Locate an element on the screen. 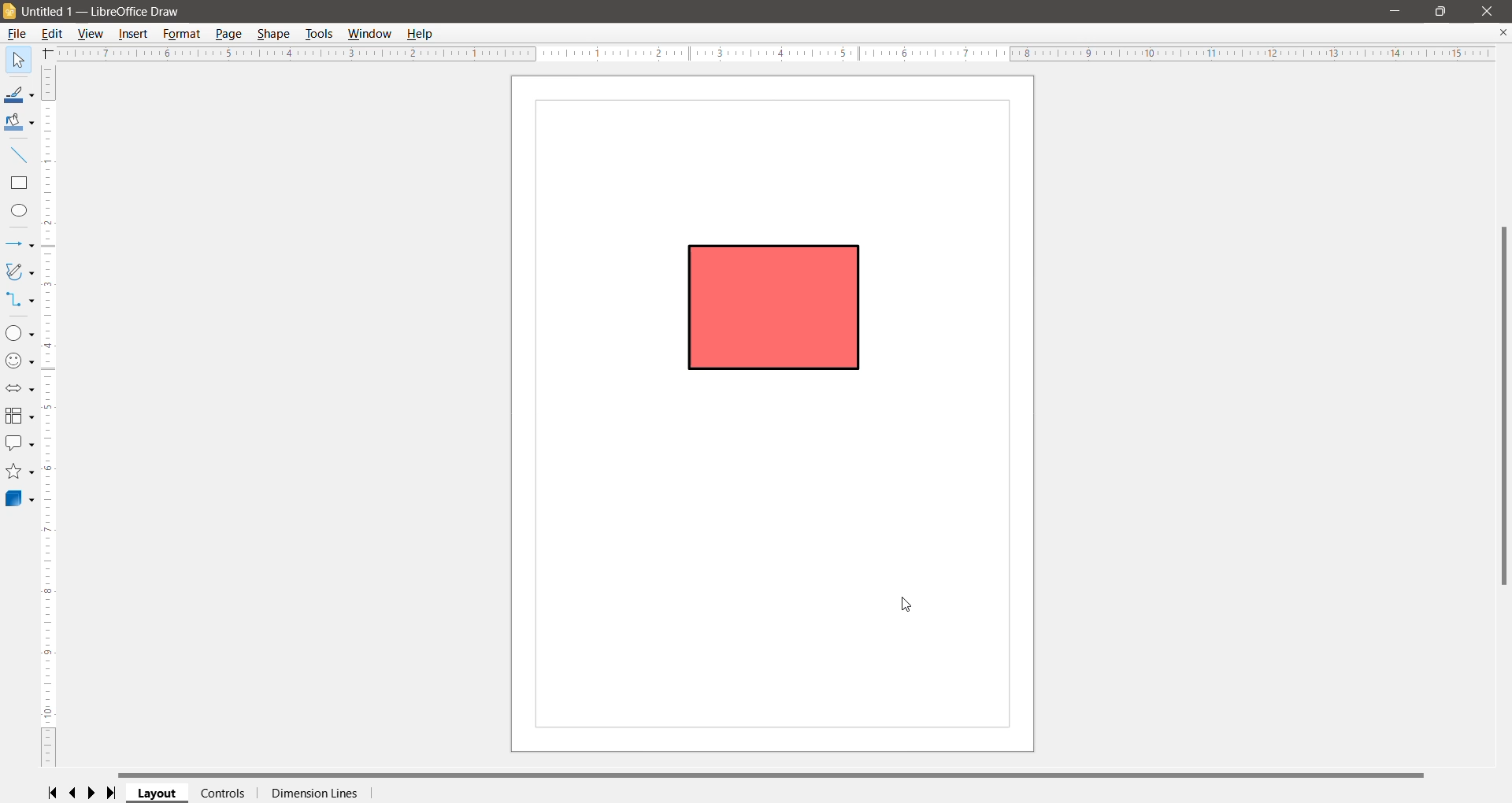 This screenshot has width=1512, height=803. Restore Down is located at coordinates (1442, 12).